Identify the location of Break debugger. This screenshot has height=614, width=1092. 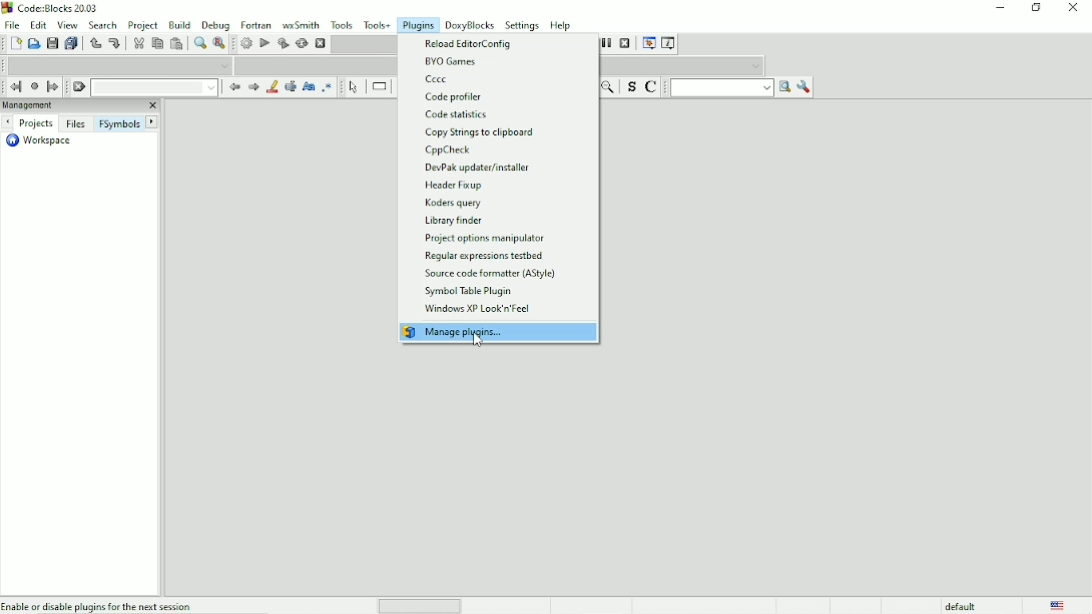
(606, 43).